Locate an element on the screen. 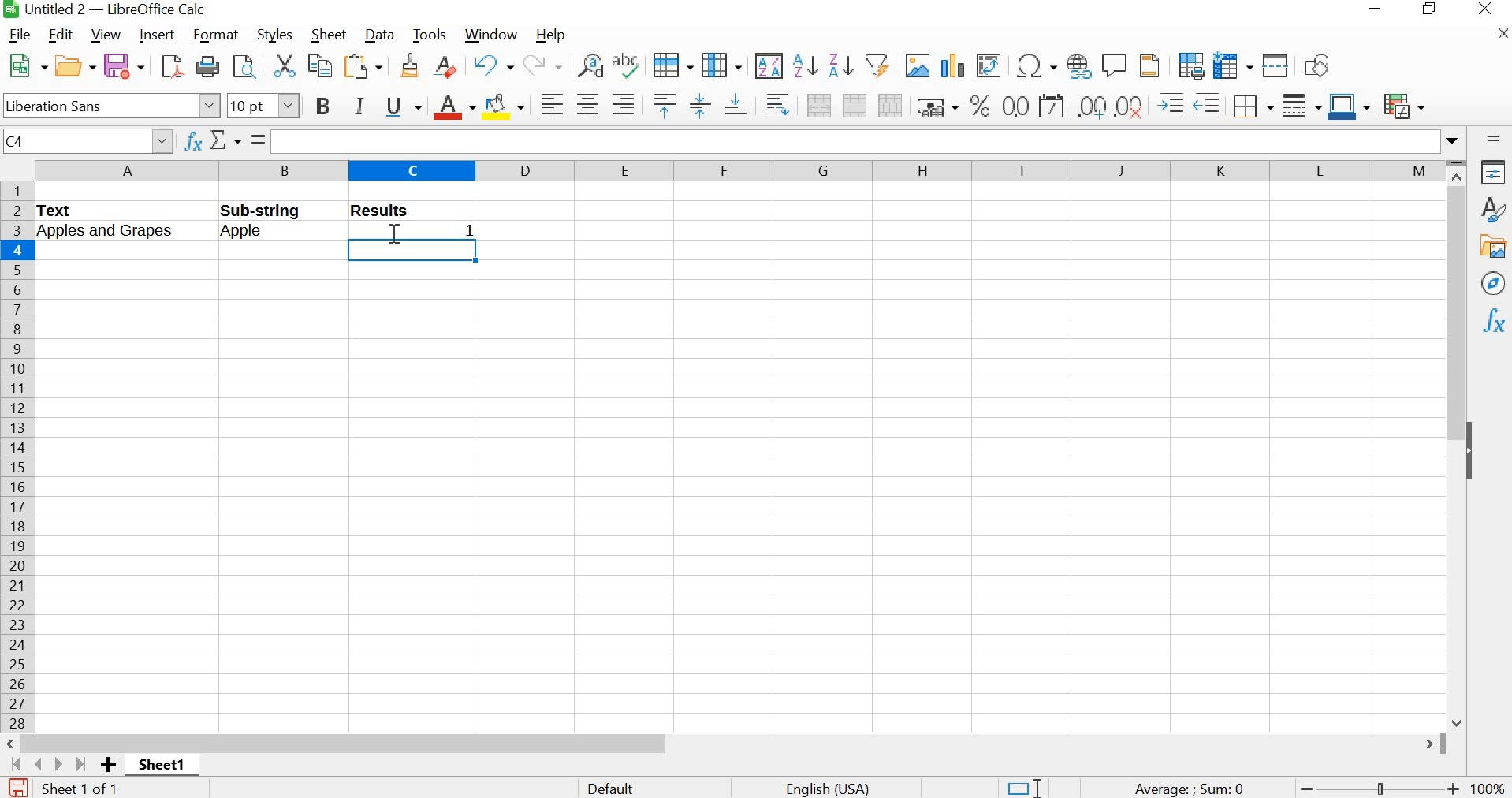  redo is located at coordinates (542, 65).